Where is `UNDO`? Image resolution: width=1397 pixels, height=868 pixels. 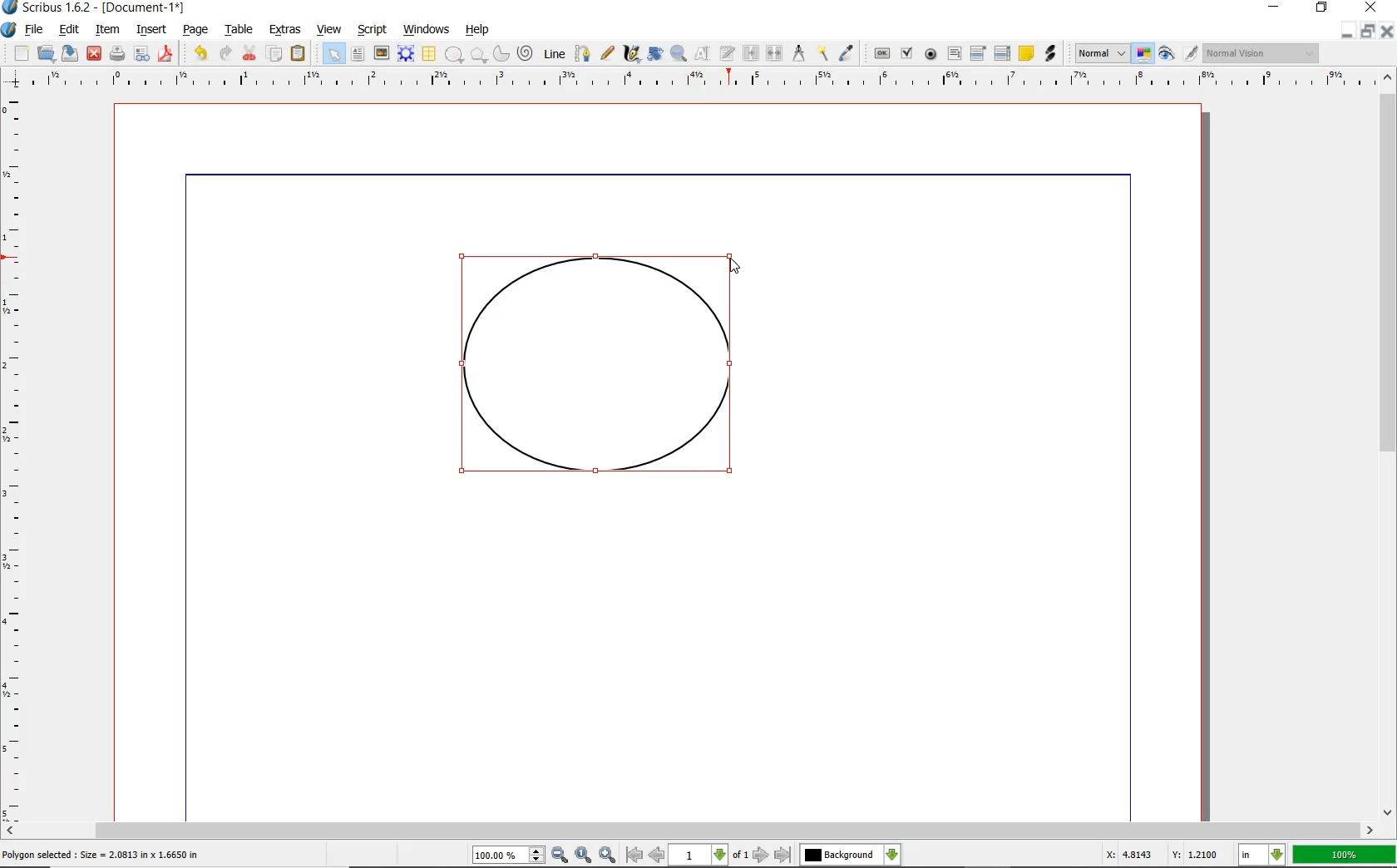 UNDO is located at coordinates (200, 53).